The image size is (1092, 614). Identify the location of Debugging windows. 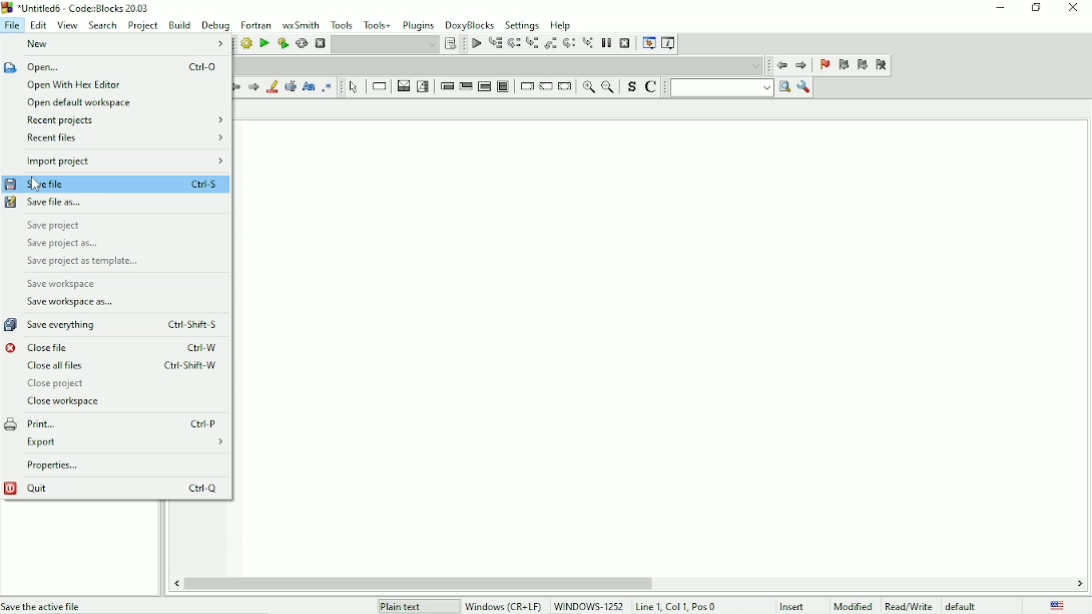
(649, 43).